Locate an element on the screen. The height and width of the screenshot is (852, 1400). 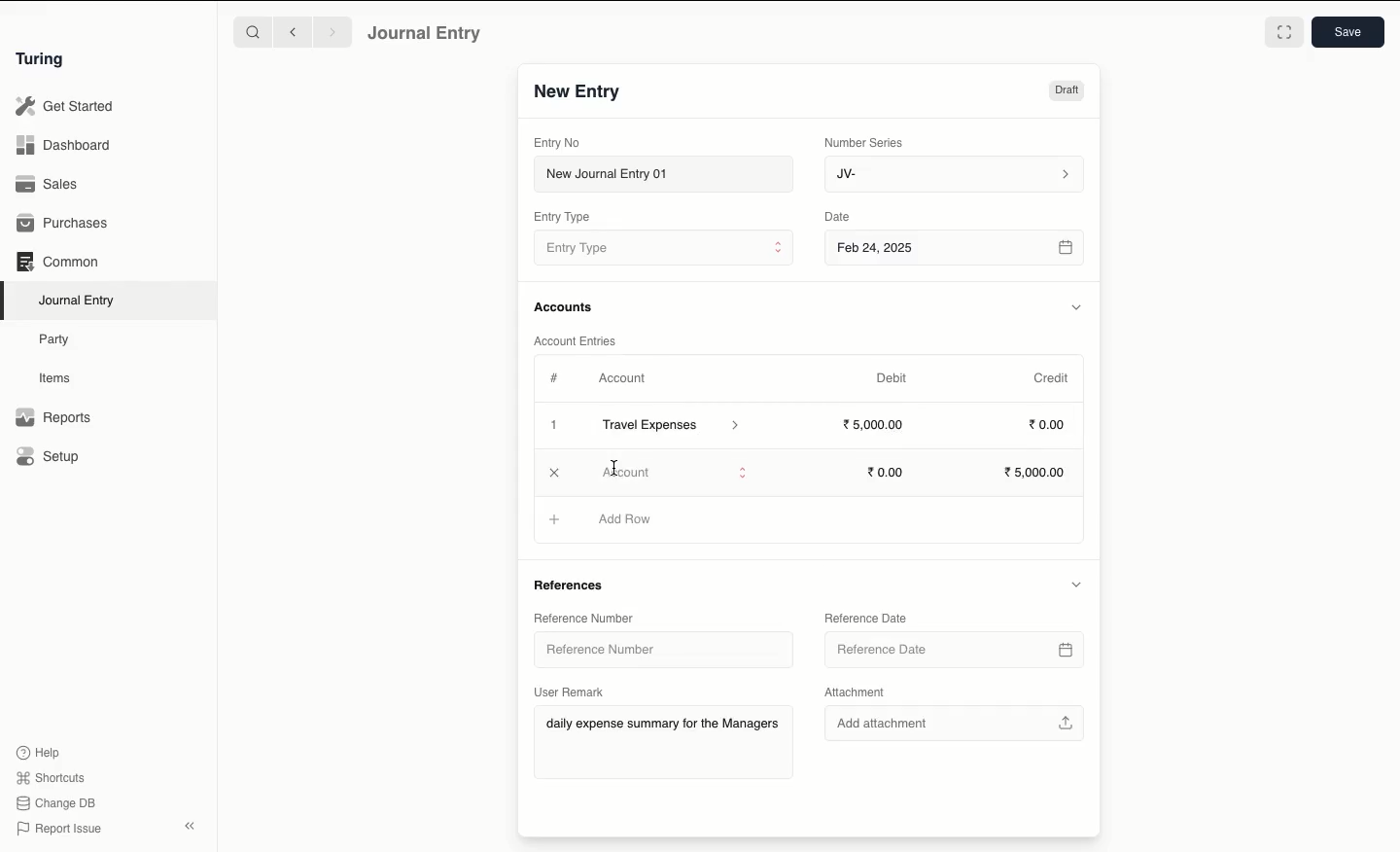
Attachment is located at coordinates (864, 692).